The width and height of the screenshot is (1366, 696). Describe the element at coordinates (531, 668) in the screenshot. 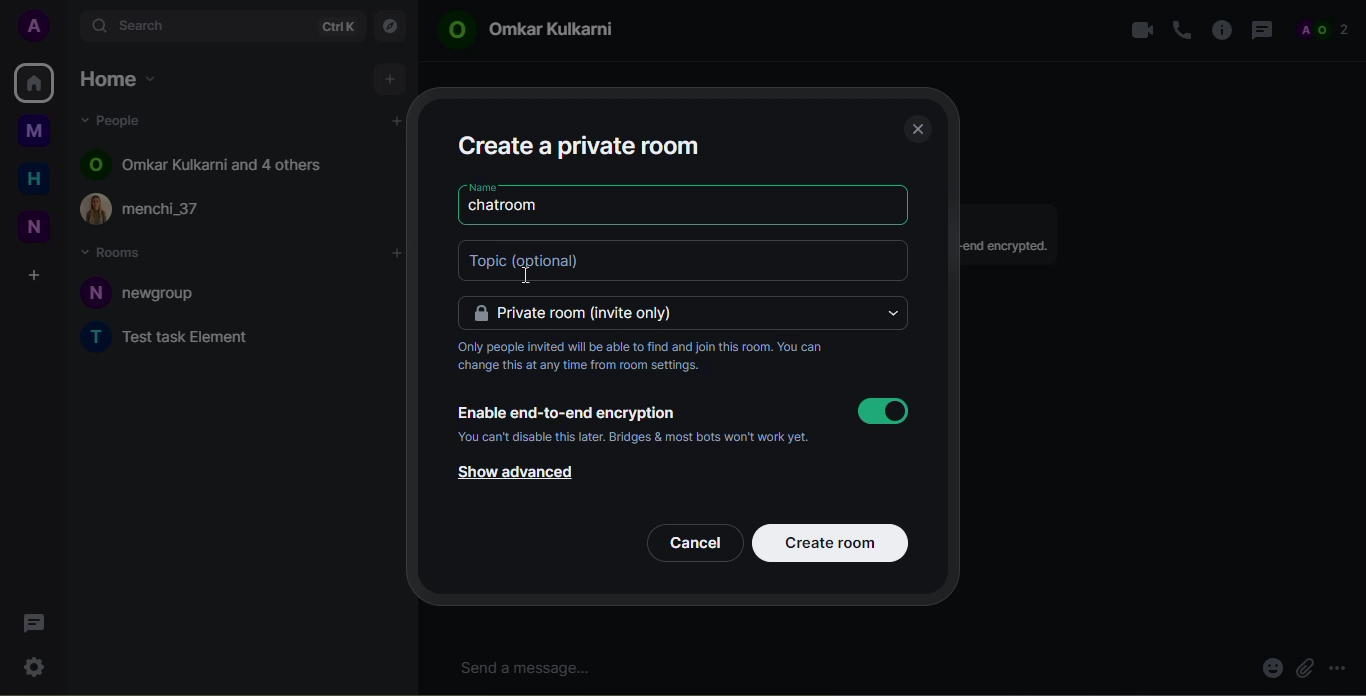

I see `send message` at that location.